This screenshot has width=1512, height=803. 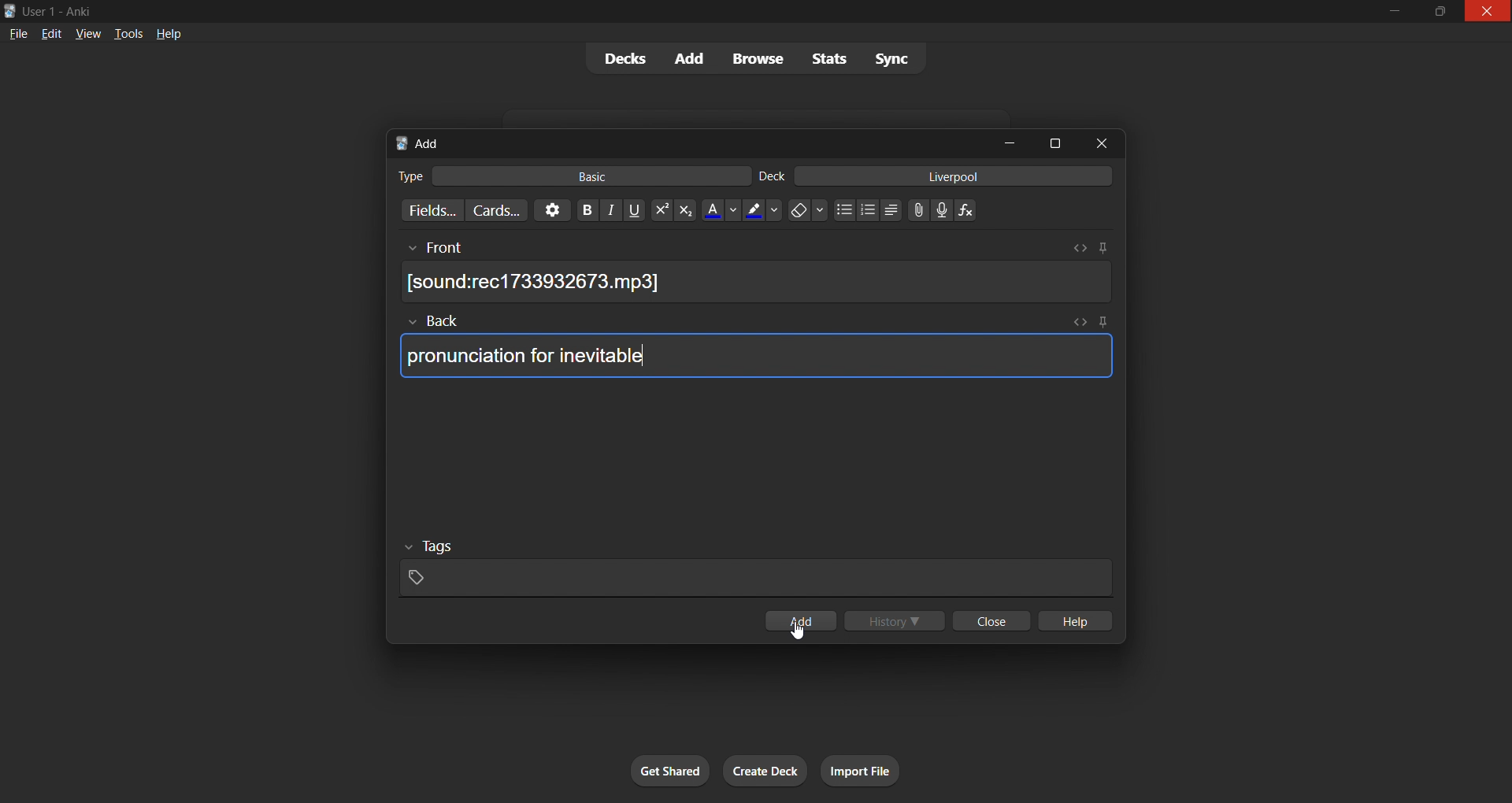 I want to click on text color, so click(x=719, y=210).